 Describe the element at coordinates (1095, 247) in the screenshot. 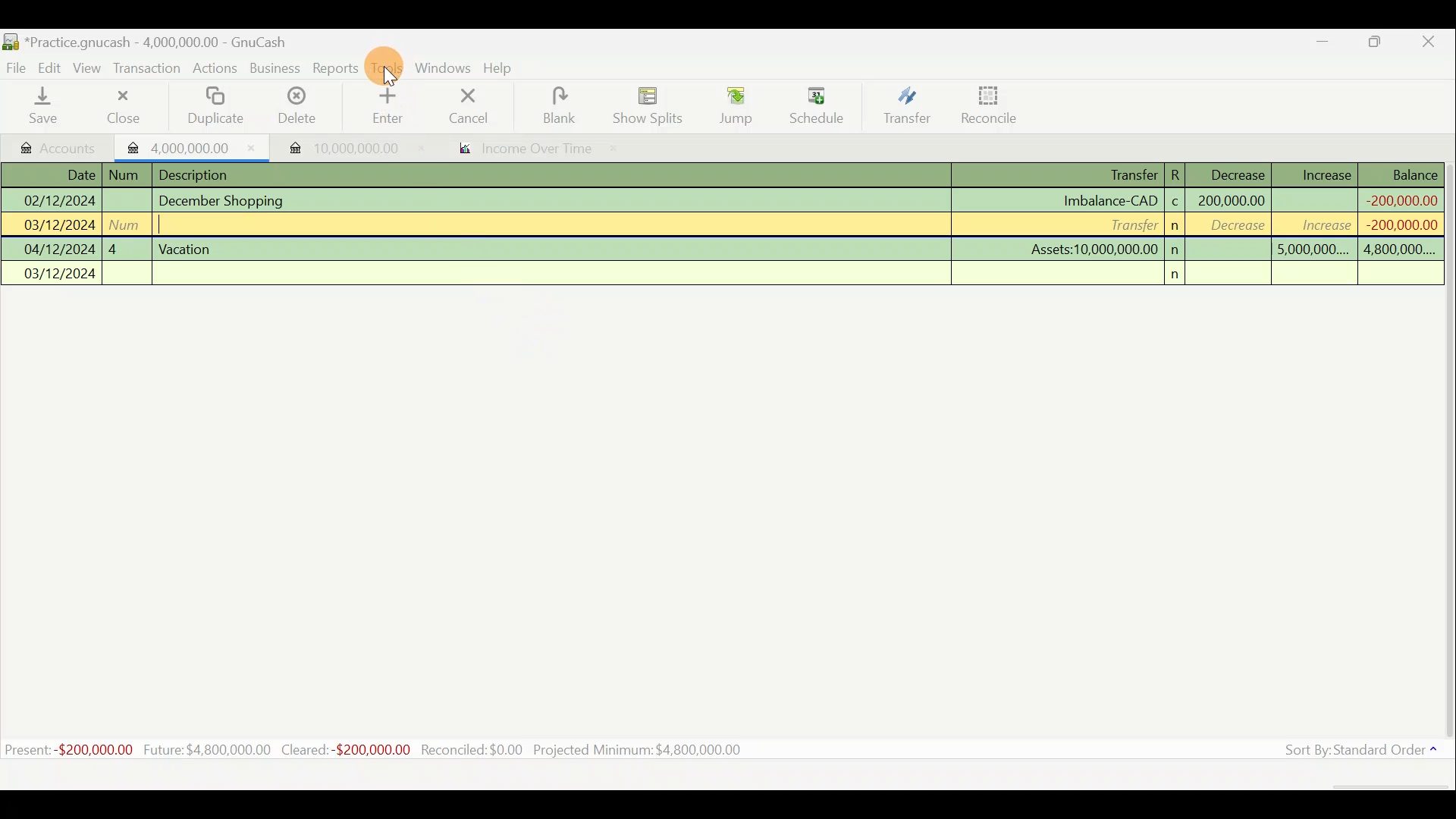

I see `Assets:10,000,000.00` at that location.